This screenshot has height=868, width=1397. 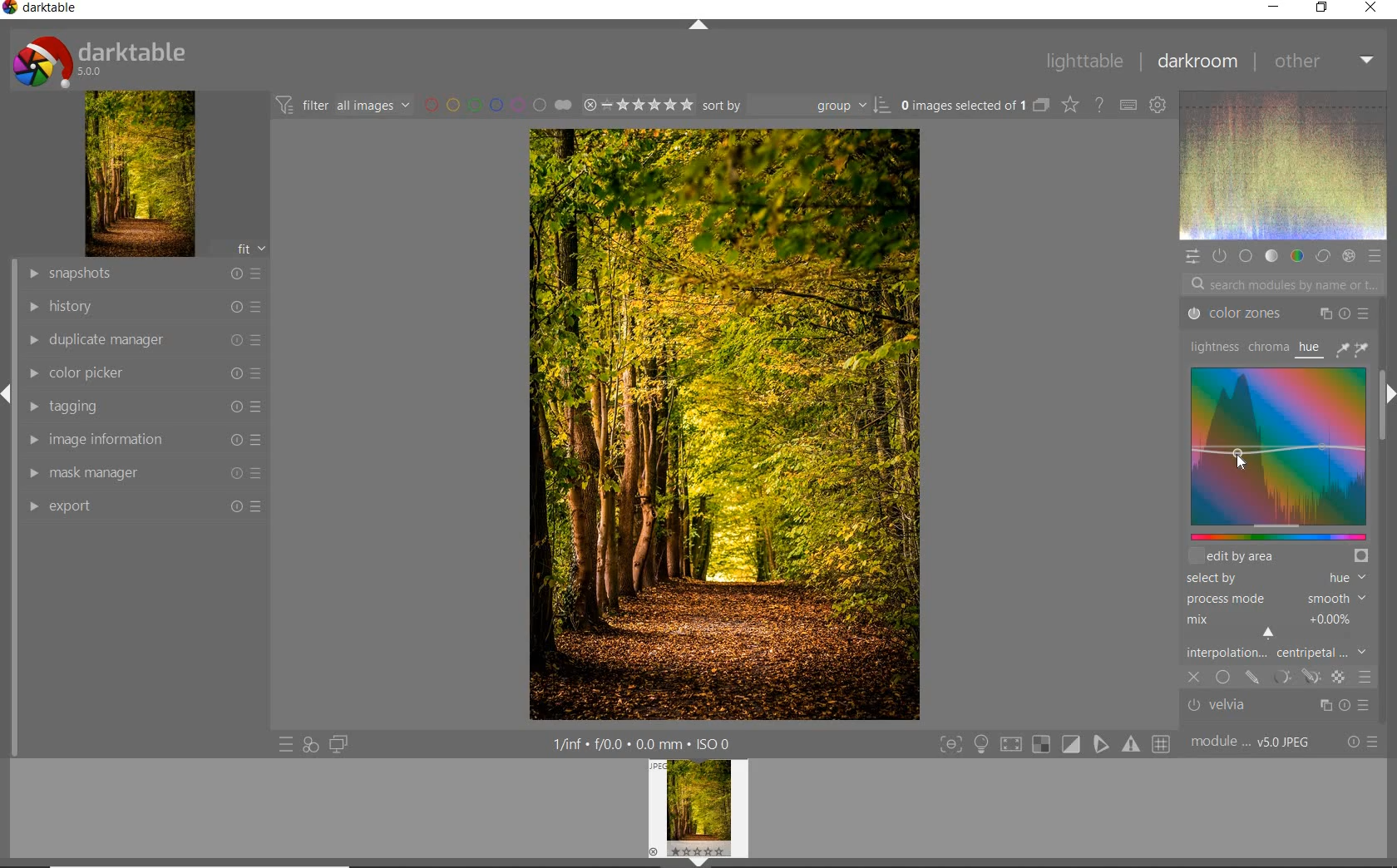 What do you see at coordinates (285, 743) in the screenshot?
I see `QUICK ACCESS TO PRESETS` at bounding box center [285, 743].